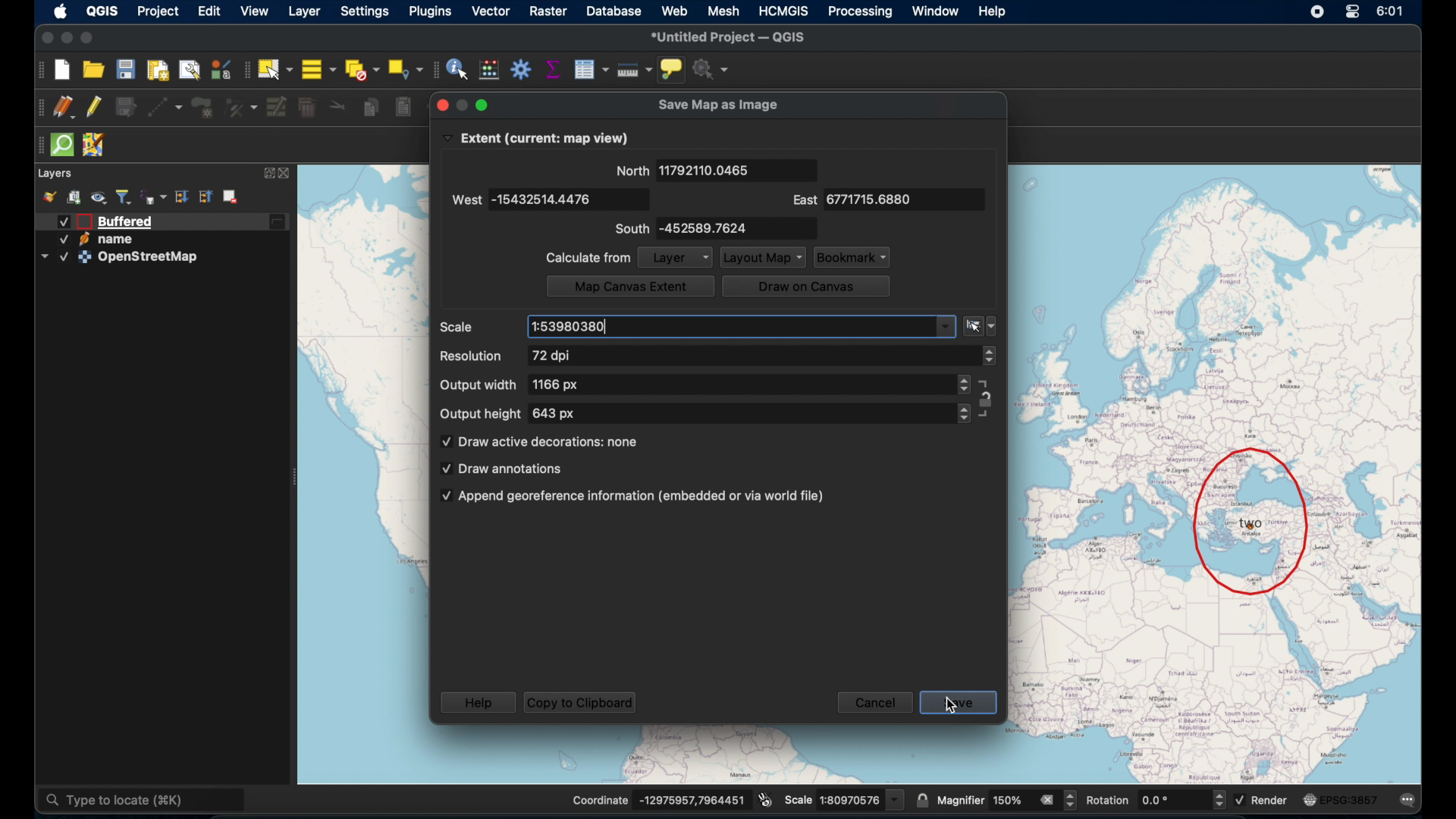 This screenshot has height=819, width=1456. Describe the element at coordinates (540, 441) in the screenshot. I see `draw active decorations: none` at that location.